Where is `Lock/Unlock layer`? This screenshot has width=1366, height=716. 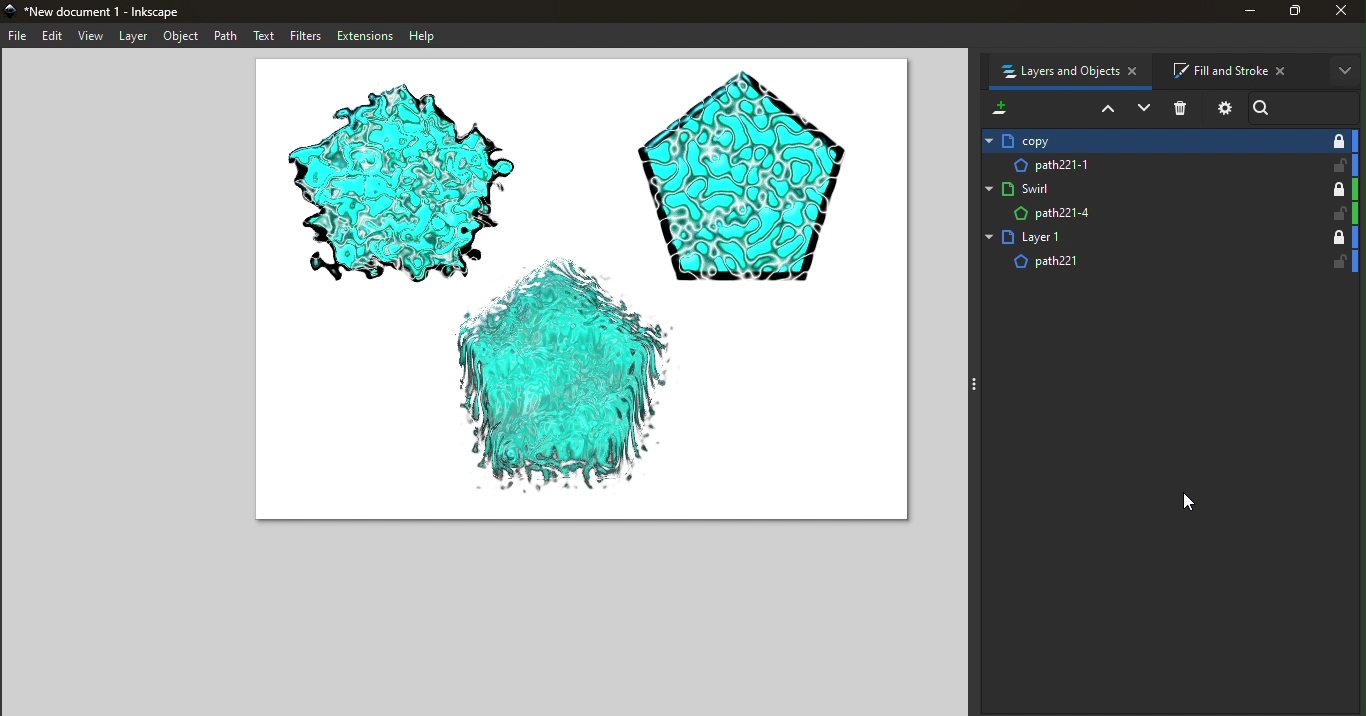
Lock/Unlock layer is located at coordinates (1338, 140).